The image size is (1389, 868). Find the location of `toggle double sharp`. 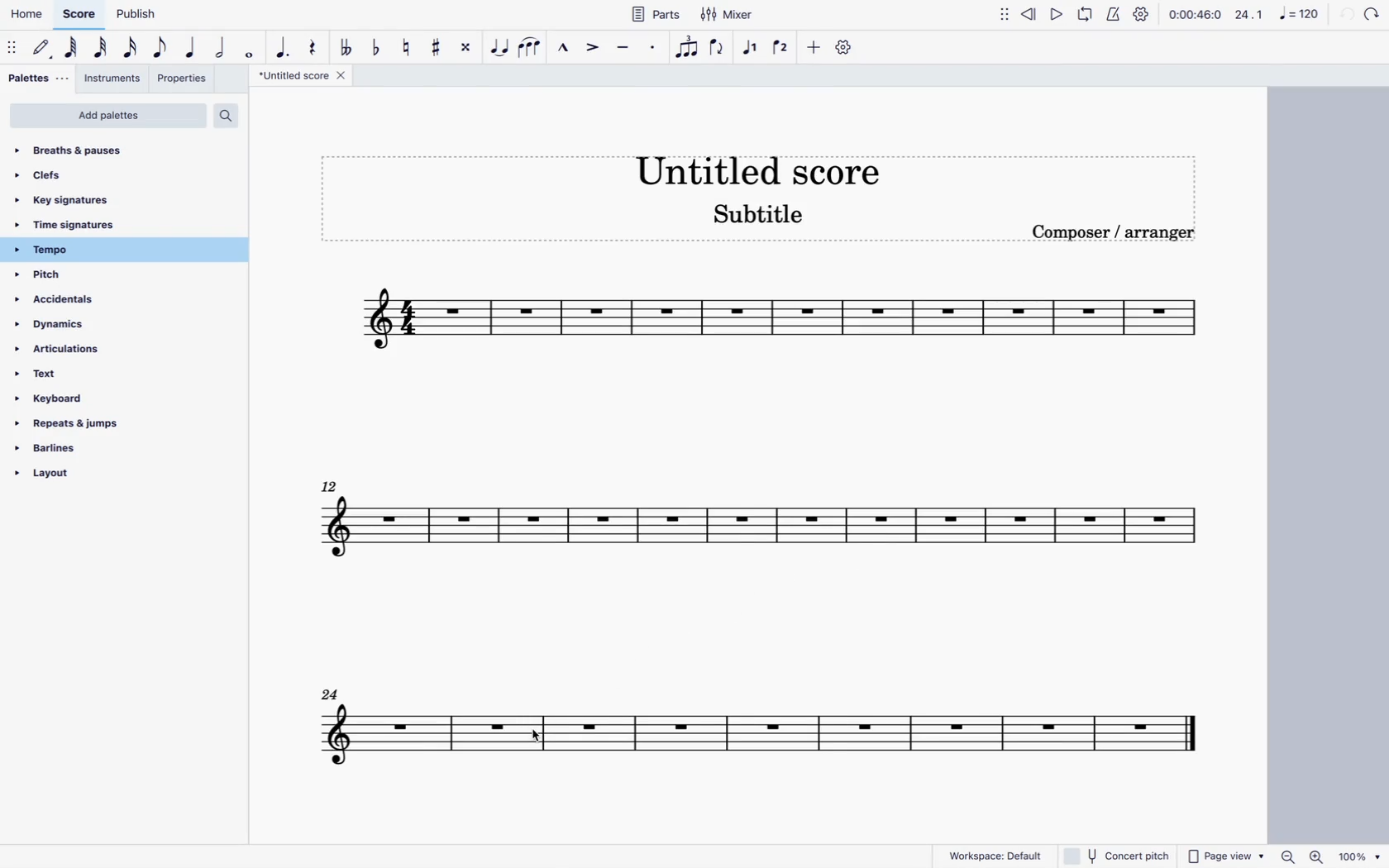

toggle double sharp is located at coordinates (464, 46).